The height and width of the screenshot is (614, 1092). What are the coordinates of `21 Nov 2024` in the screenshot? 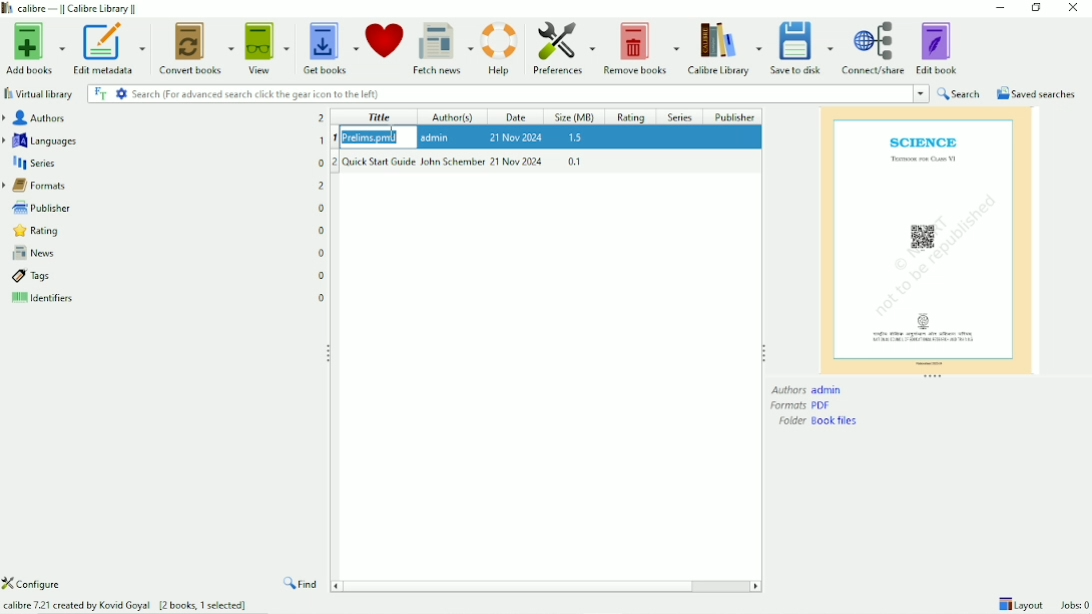 It's located at (516, 136).